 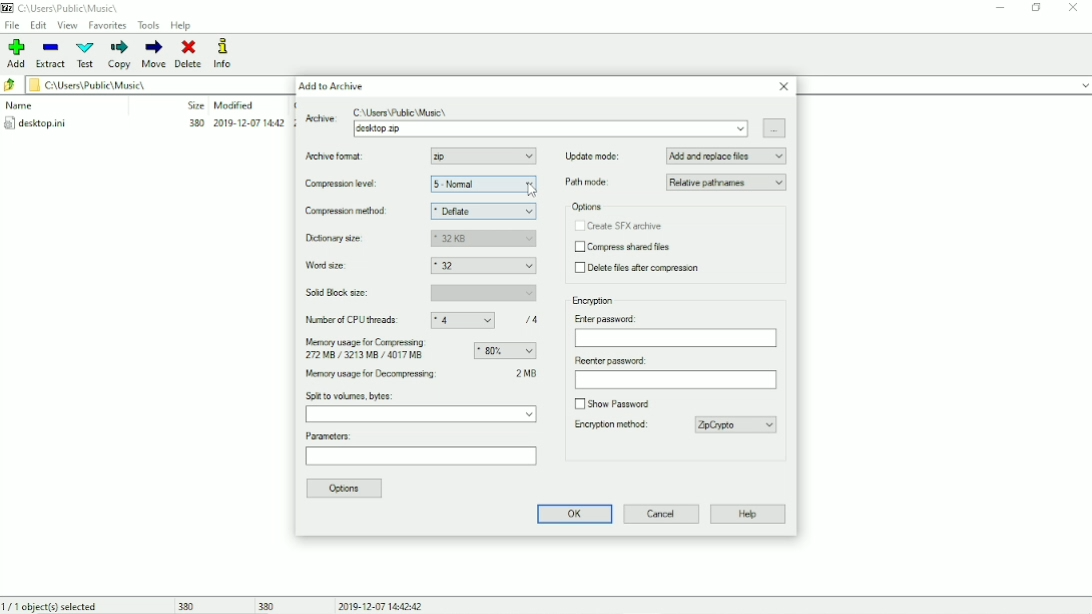 I want to click on Cursor, so click(x=533, y=190).